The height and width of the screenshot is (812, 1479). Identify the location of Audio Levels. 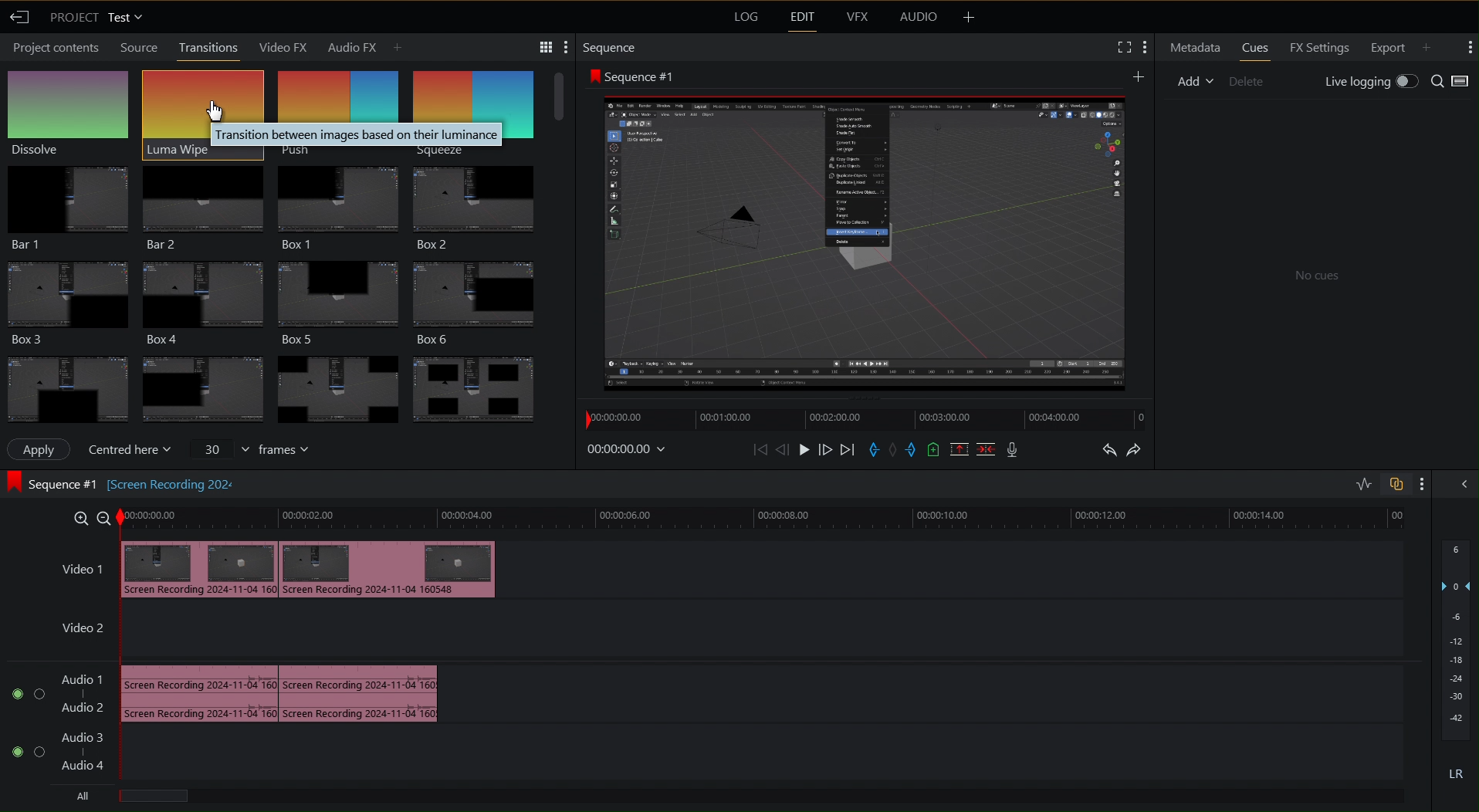
(1456, 664).